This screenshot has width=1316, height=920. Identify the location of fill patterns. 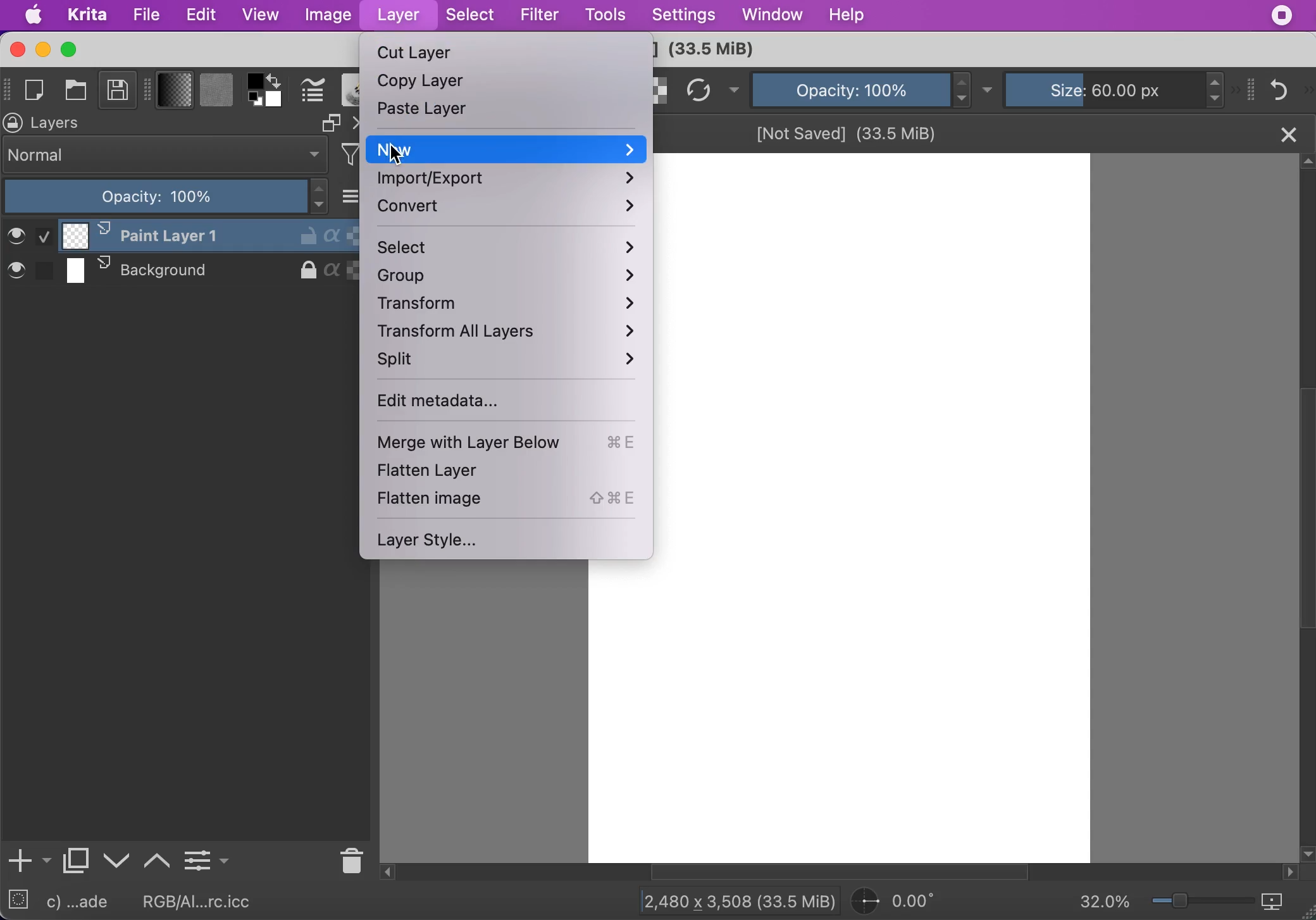
(216, 92).